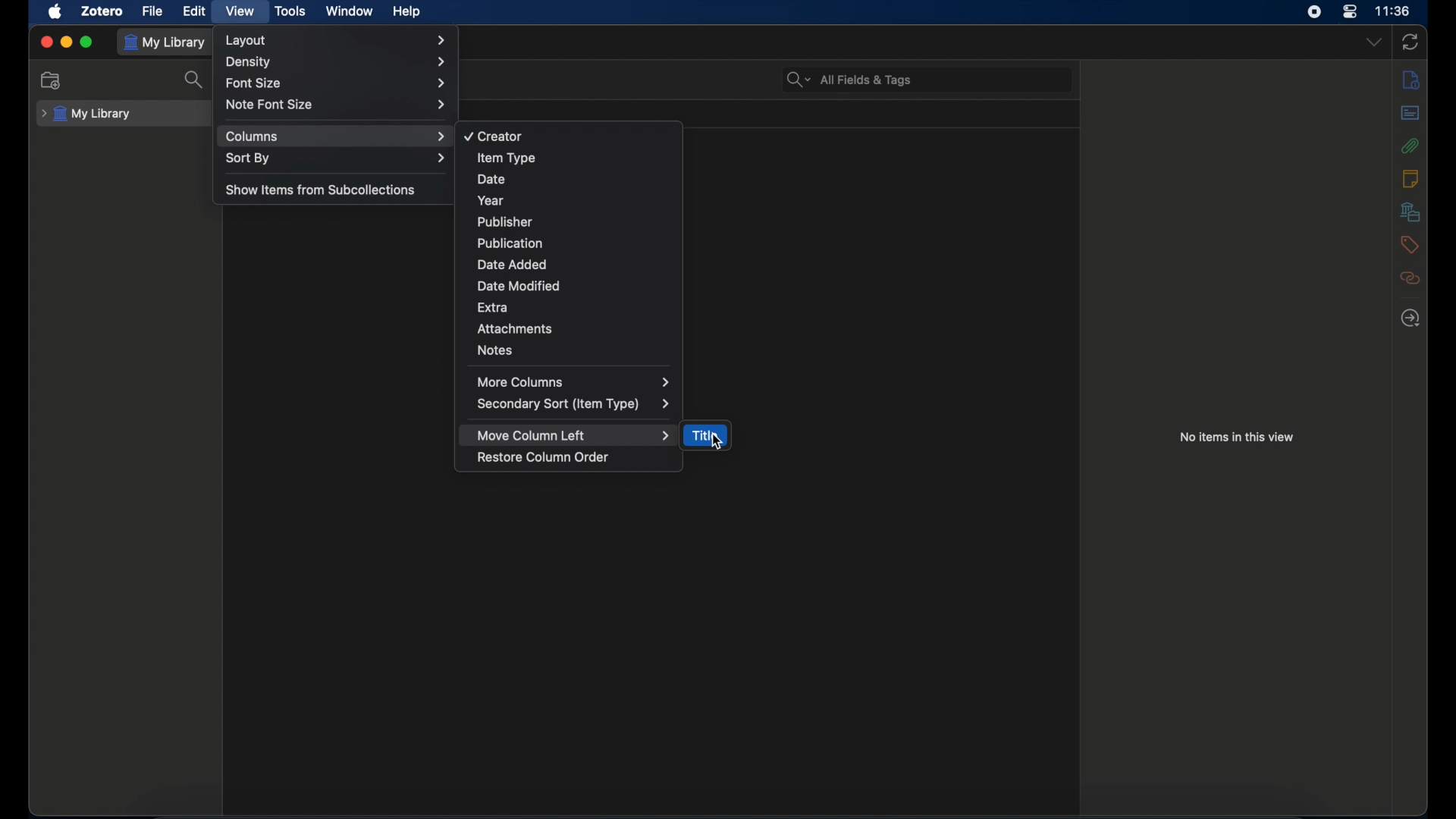 The width and height of the screenshot is (1456, 819). Describe the element at coordinates (1411, 179) in the screenshot. I see `notes` at that location.